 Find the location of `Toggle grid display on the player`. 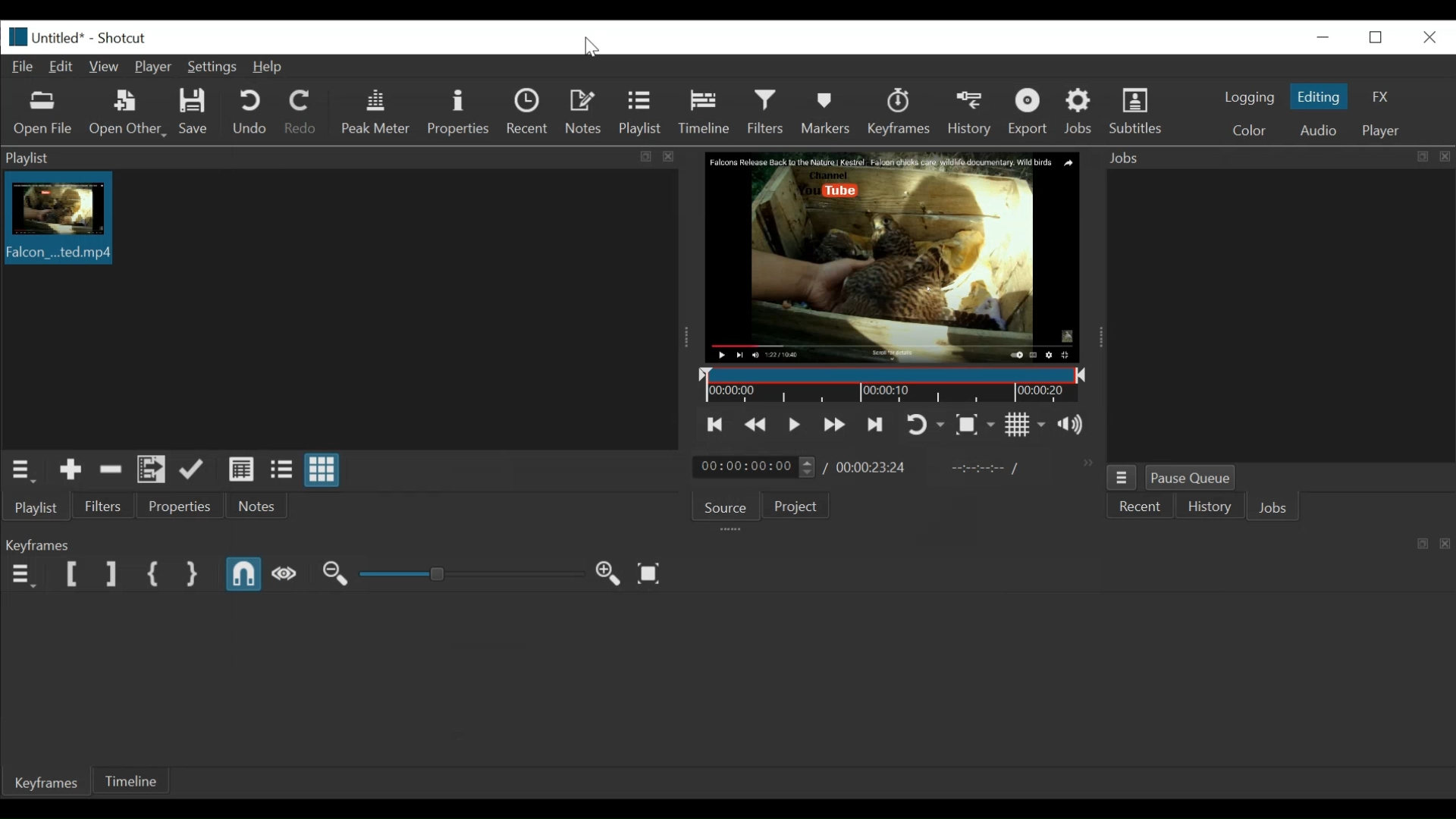

Toggle grid display on the player is located at coordinates (1025, 425).